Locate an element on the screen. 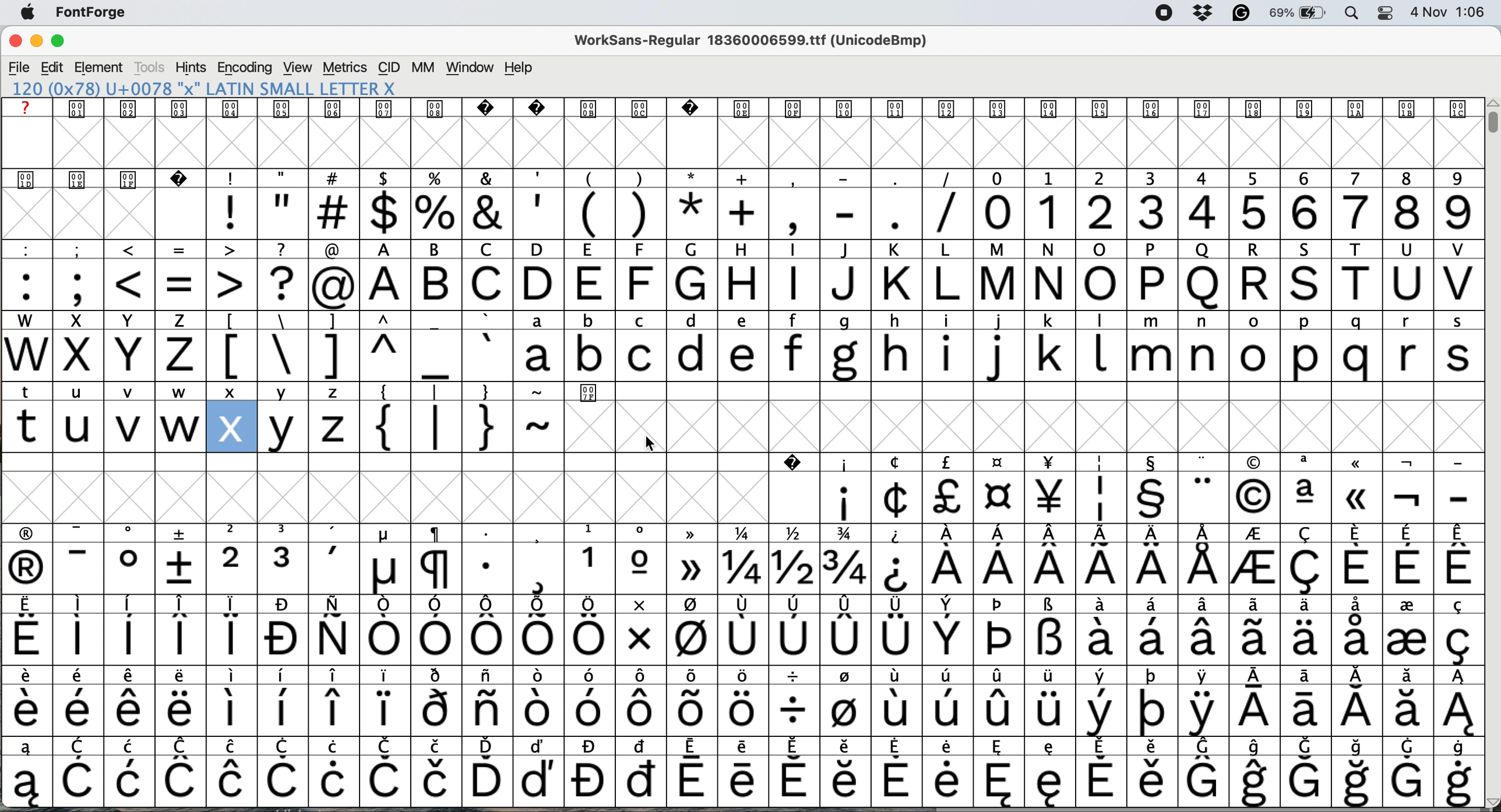  system logo is located at coordinates (33, 13).